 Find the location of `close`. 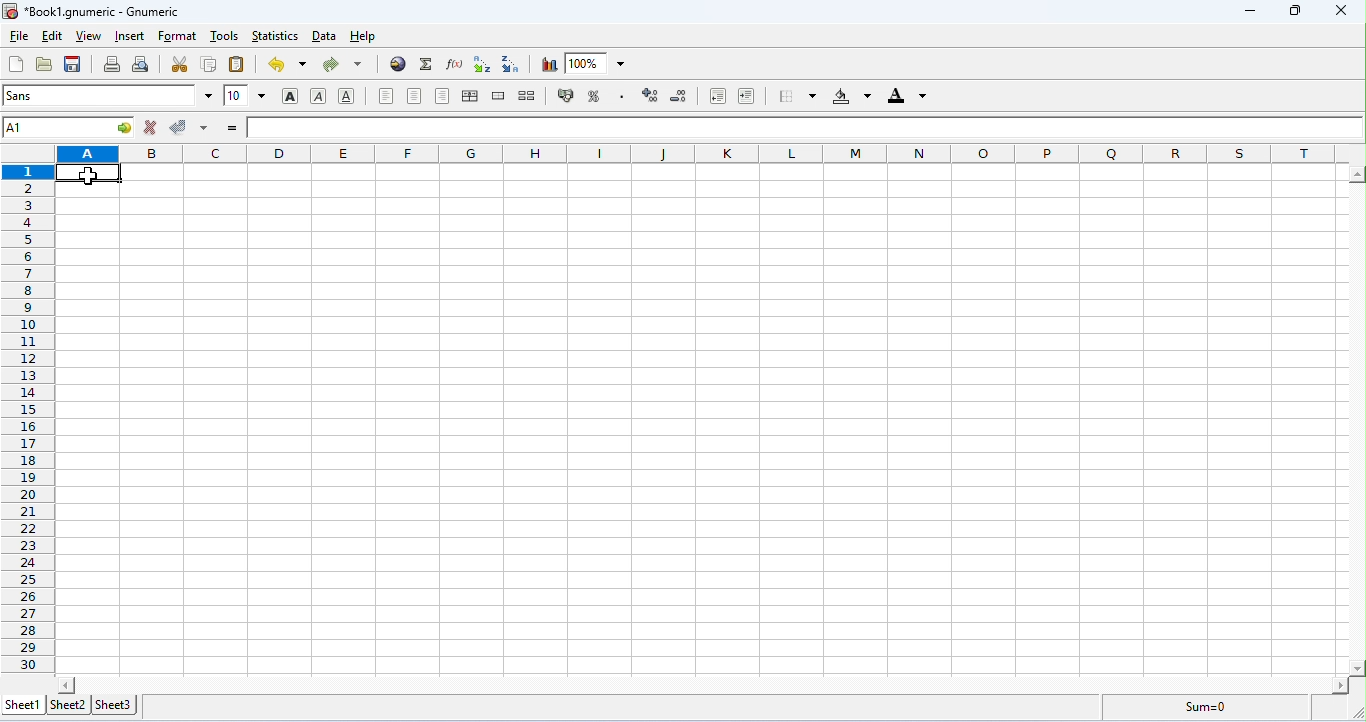

close is located at coordinates (1340, 12).